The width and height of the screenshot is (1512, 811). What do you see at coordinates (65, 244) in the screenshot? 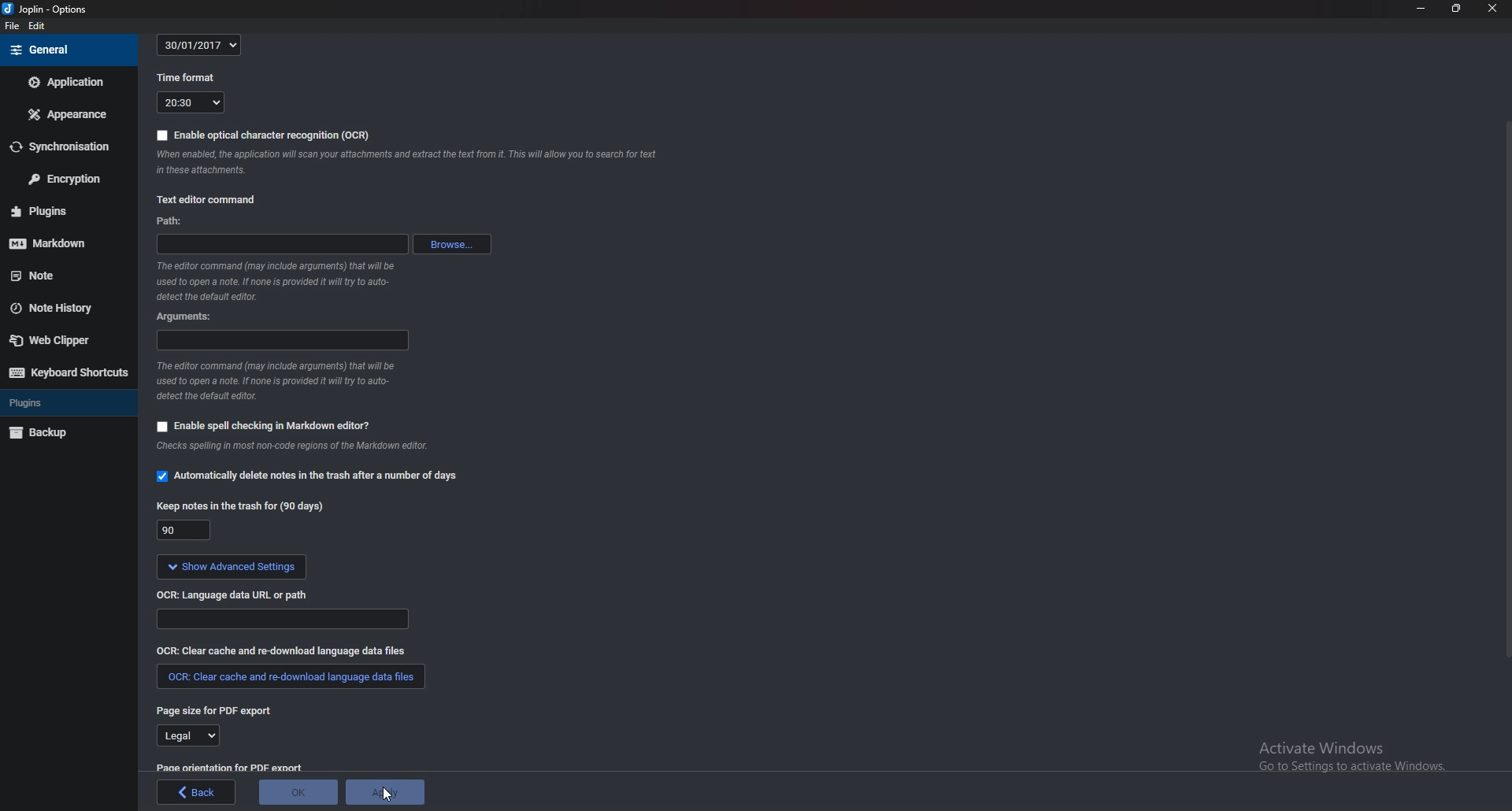
I see `markdown` at bounding box center [65, 244].